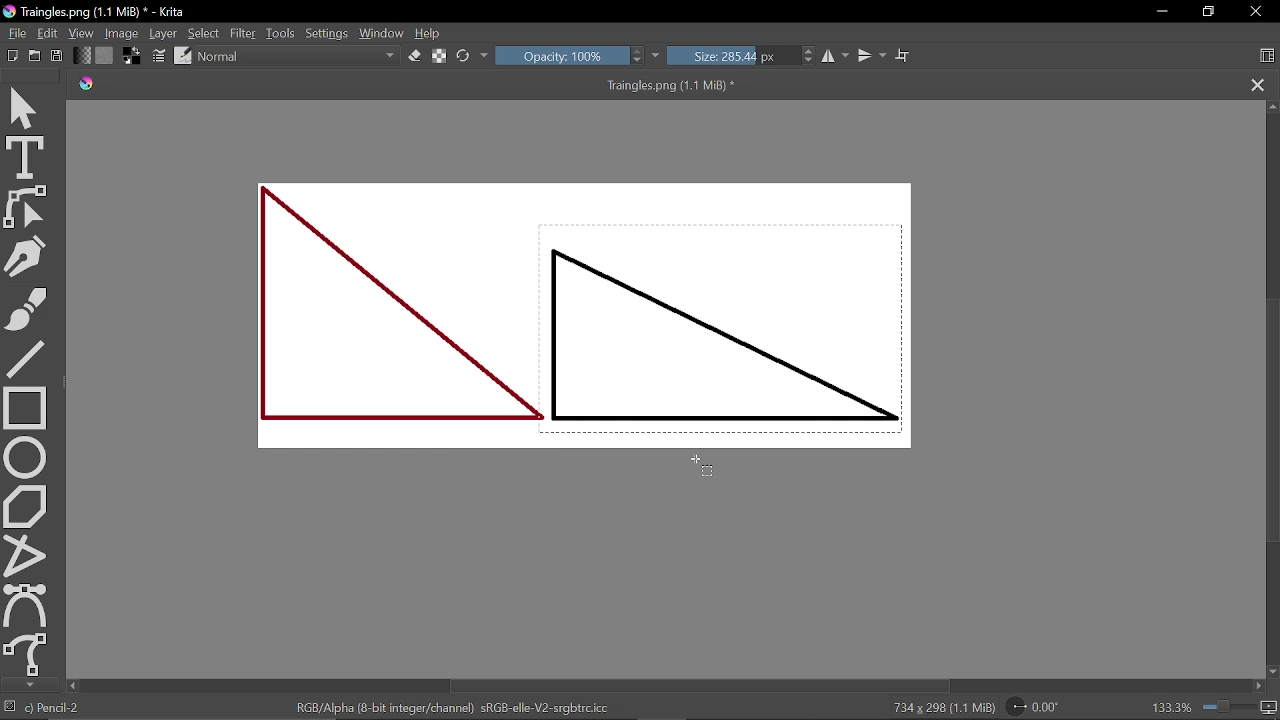 This screenshot has width=1280, height=720. What do you see at coordinates (15, 32) in the screenshot?
I see `File` at bounding box center [15, 32].